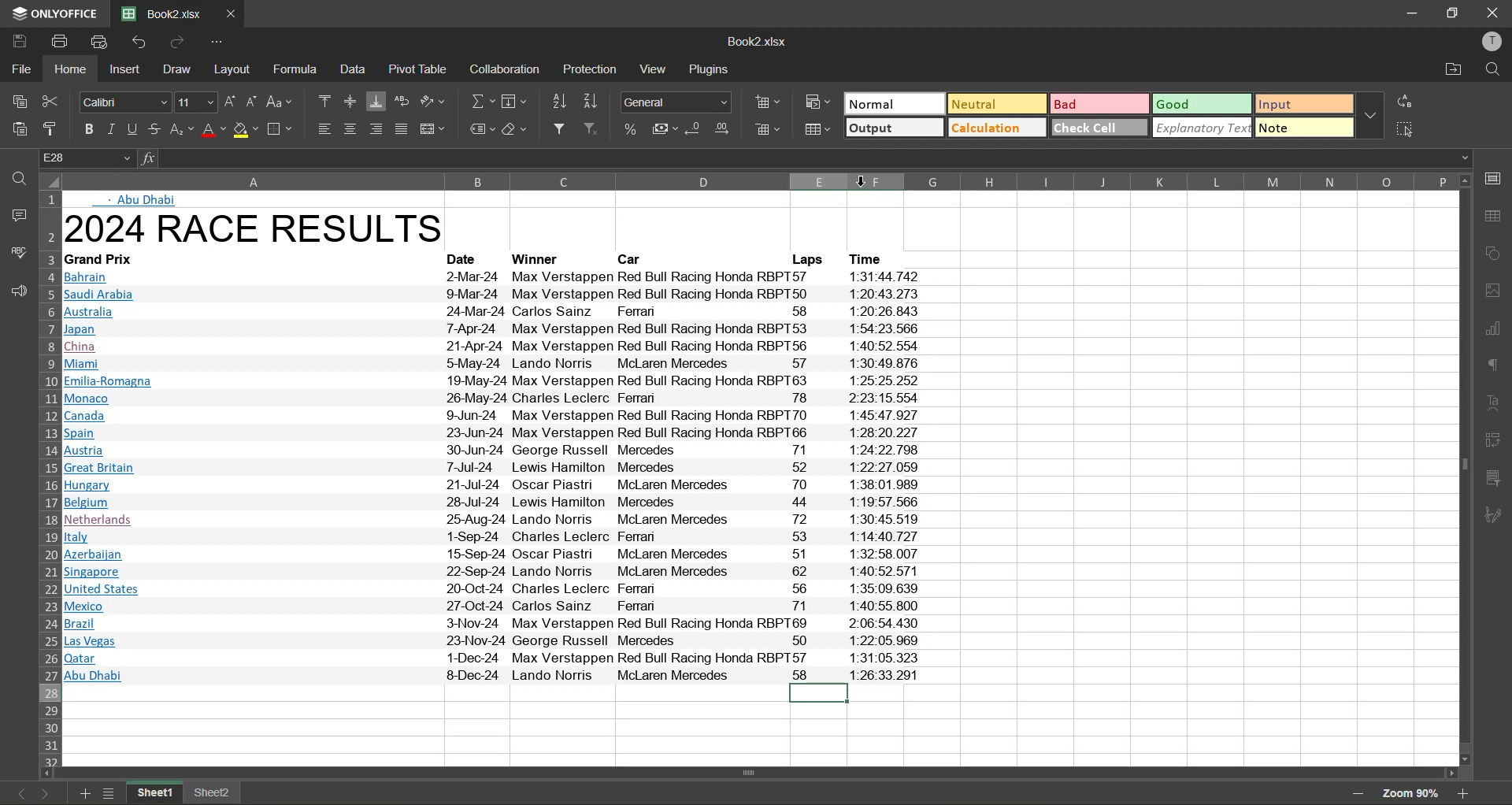 This screenshot has width=1512, height=805. Describe the element at coordinates (495, 347) in the screenshot. I see `China 21-Apr-24 Max Verstappen Red Bull Racing Honda RBPT56 1:40:52. 554` at that location.